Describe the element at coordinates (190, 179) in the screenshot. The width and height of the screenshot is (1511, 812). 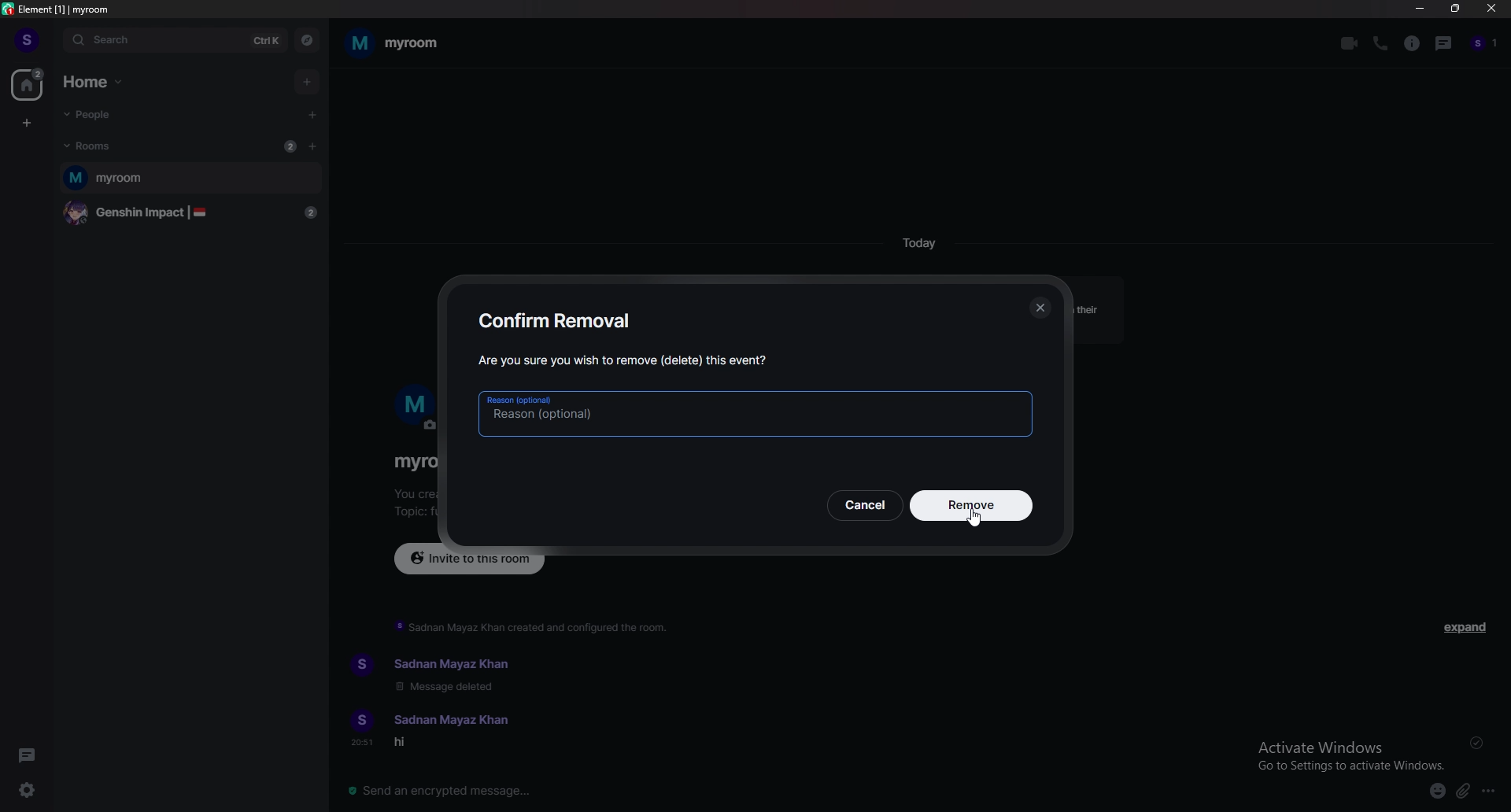
I see `myroom` at that location.